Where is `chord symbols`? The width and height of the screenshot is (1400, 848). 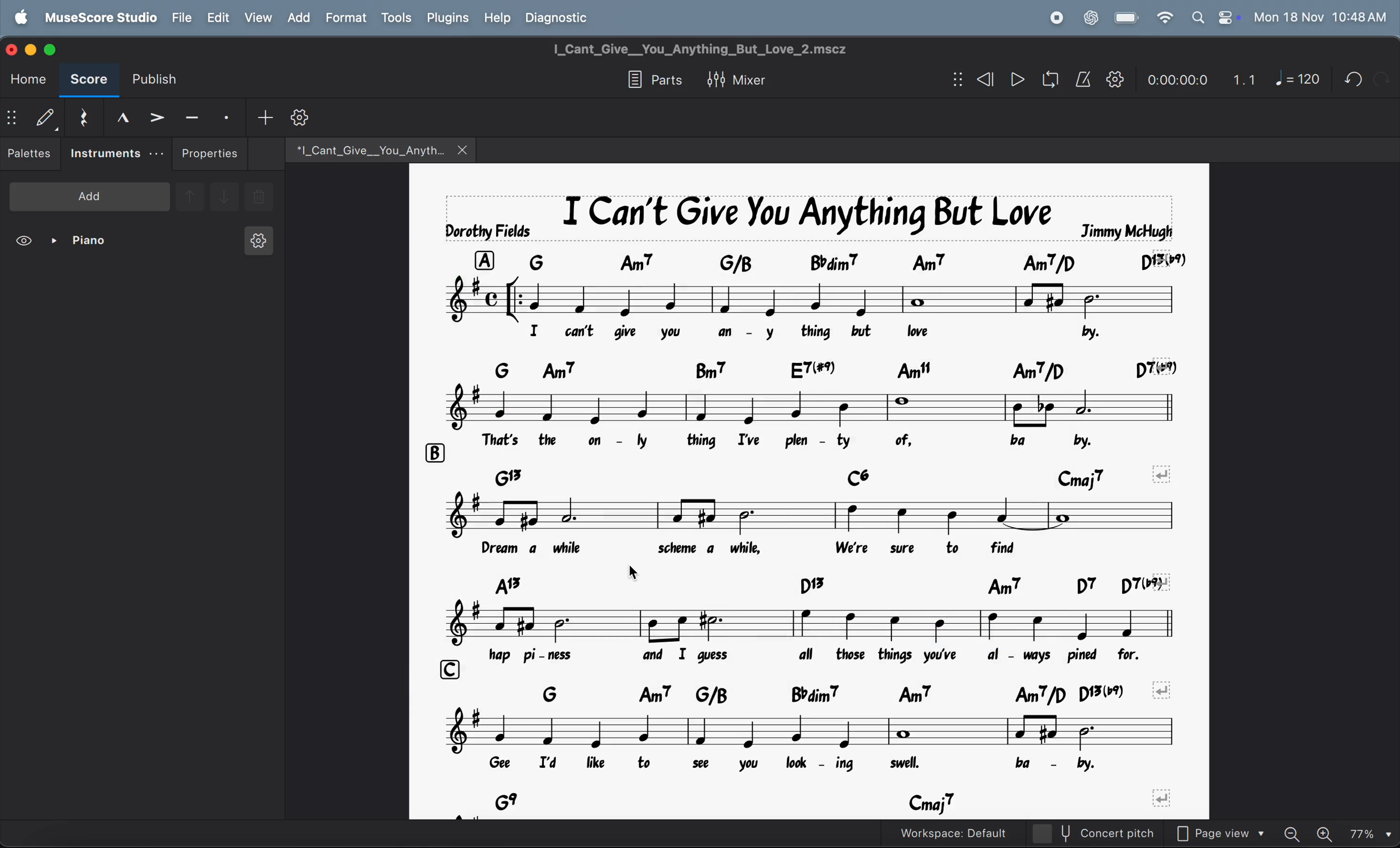 chord symbols is located at coordinates (857, 256).